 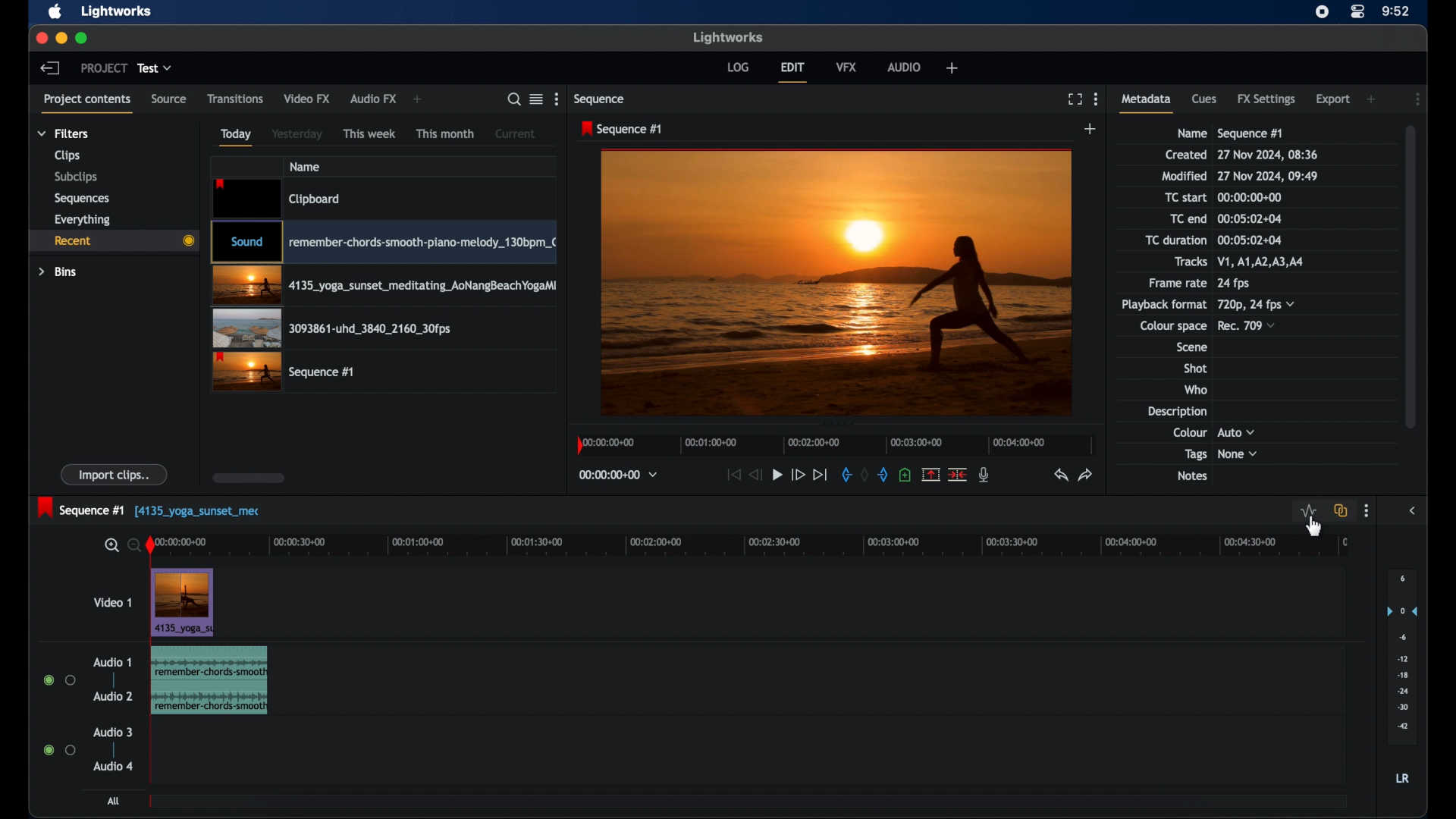 What do you see at coordinates (115, 12) in the screenshot?
I see `lightworks` at bounding box center [115, 12].